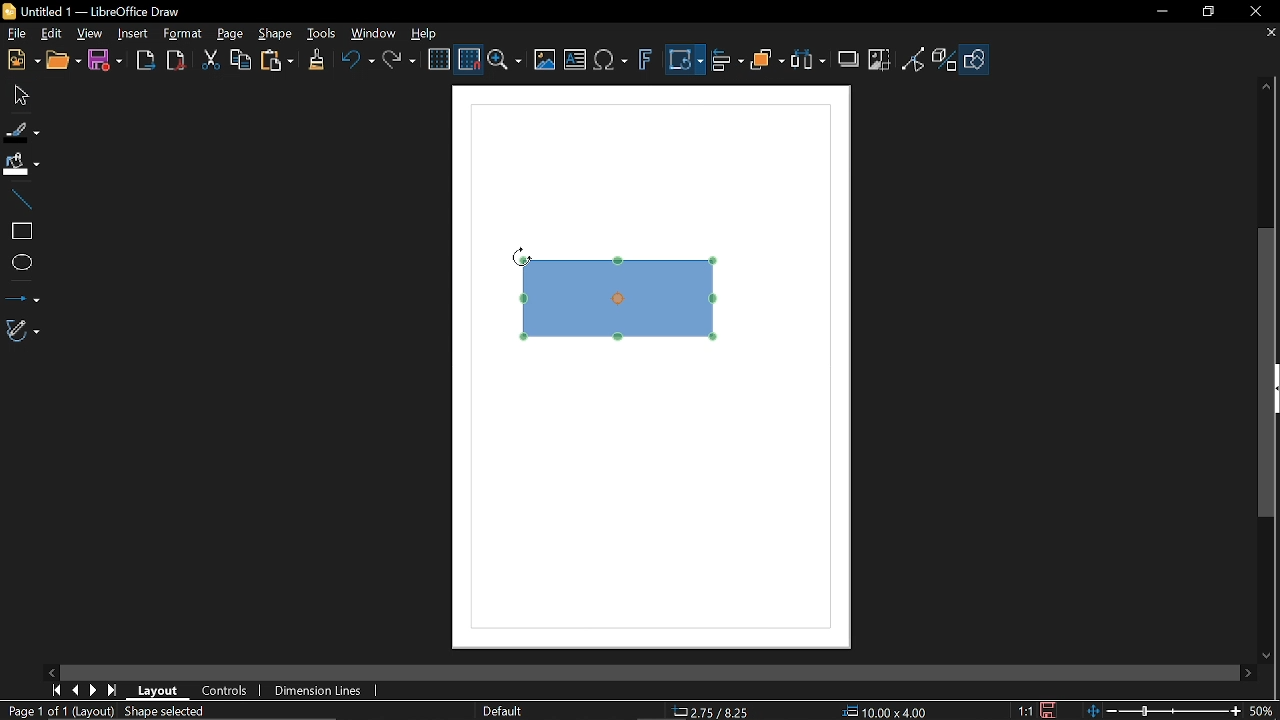  I want to click on First page, so click(53, 691).